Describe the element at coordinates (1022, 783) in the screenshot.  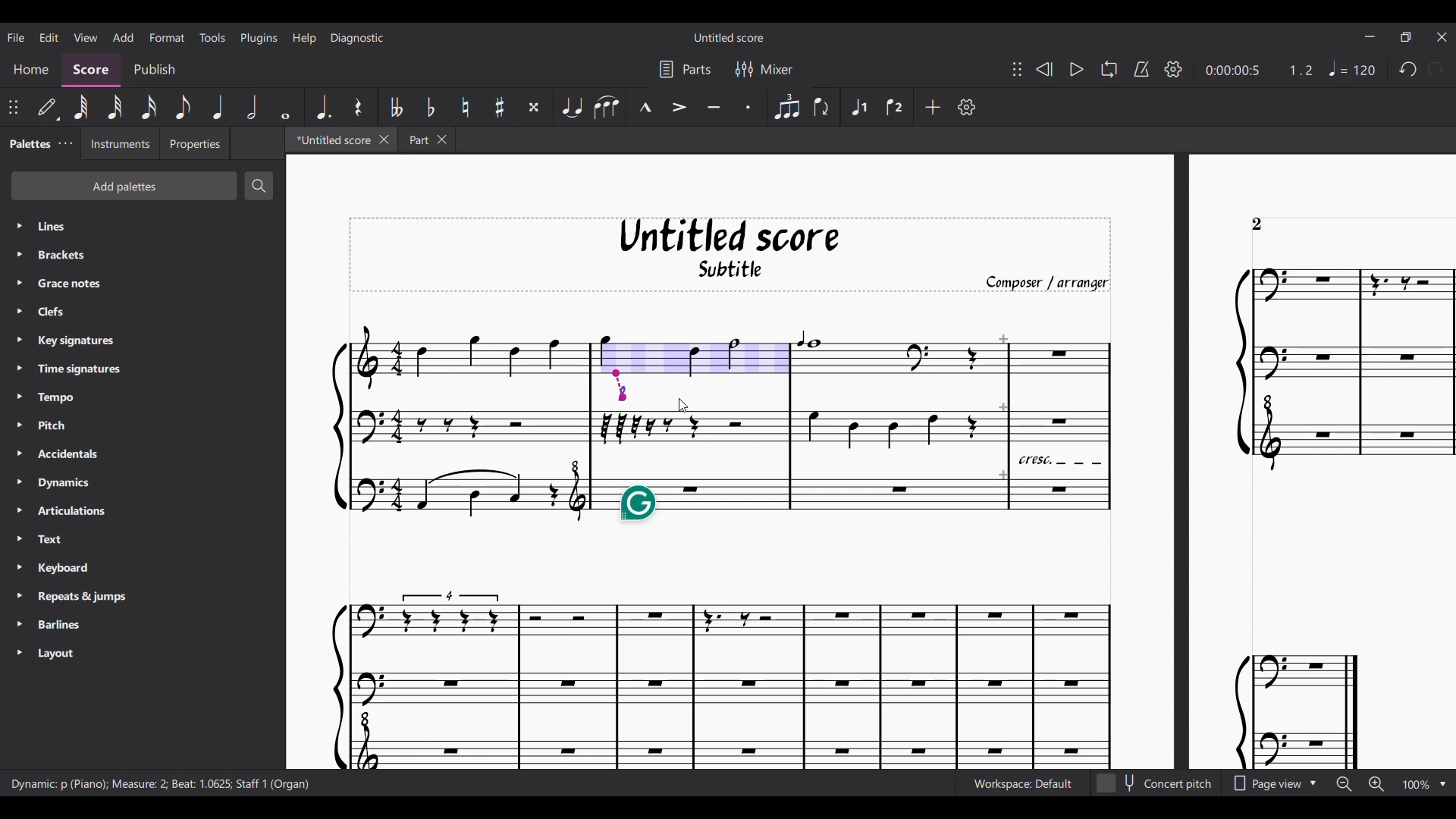
I see `Current workspace setting` at that location.